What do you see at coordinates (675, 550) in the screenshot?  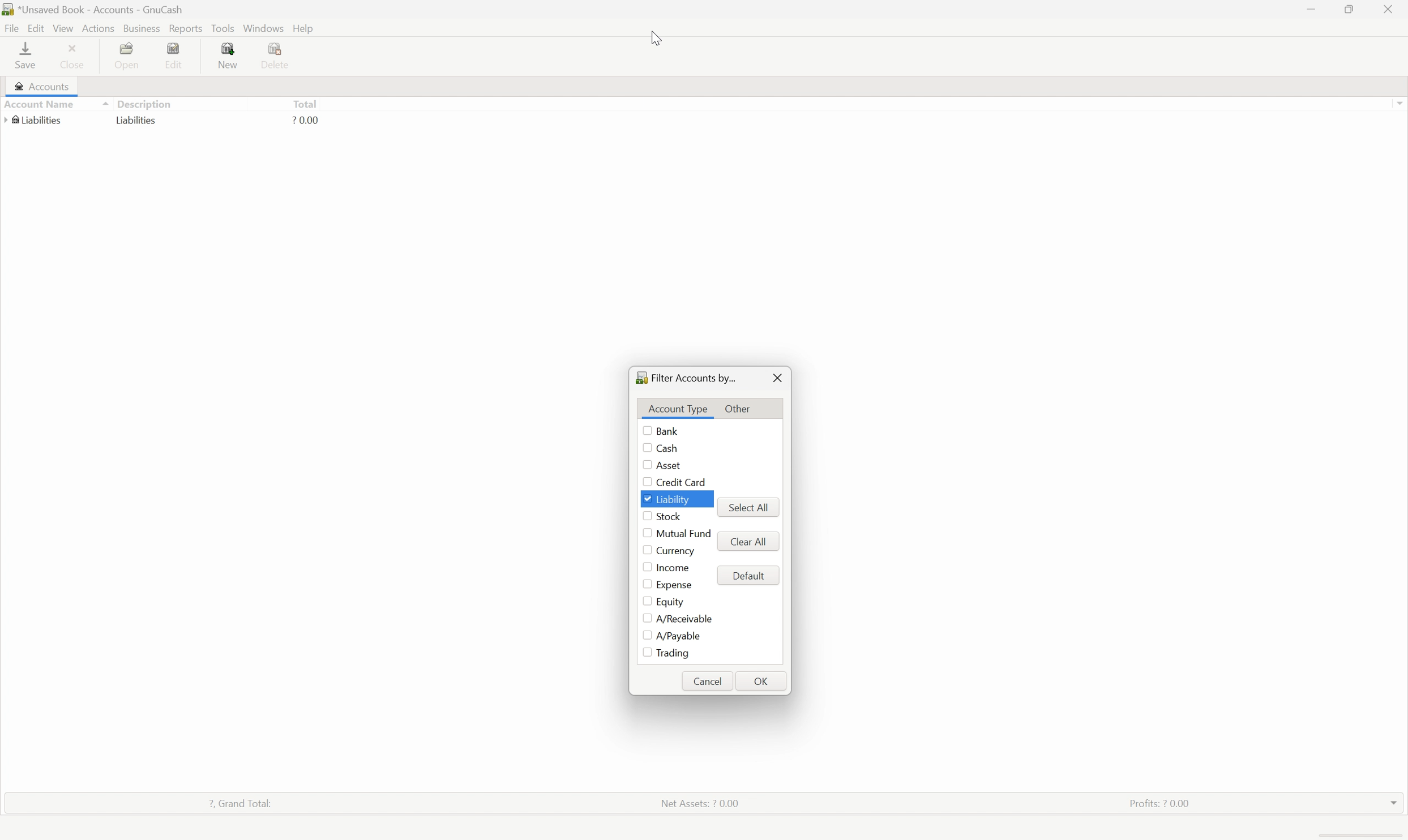 I see `Currency` at bounding box center [675, 550].